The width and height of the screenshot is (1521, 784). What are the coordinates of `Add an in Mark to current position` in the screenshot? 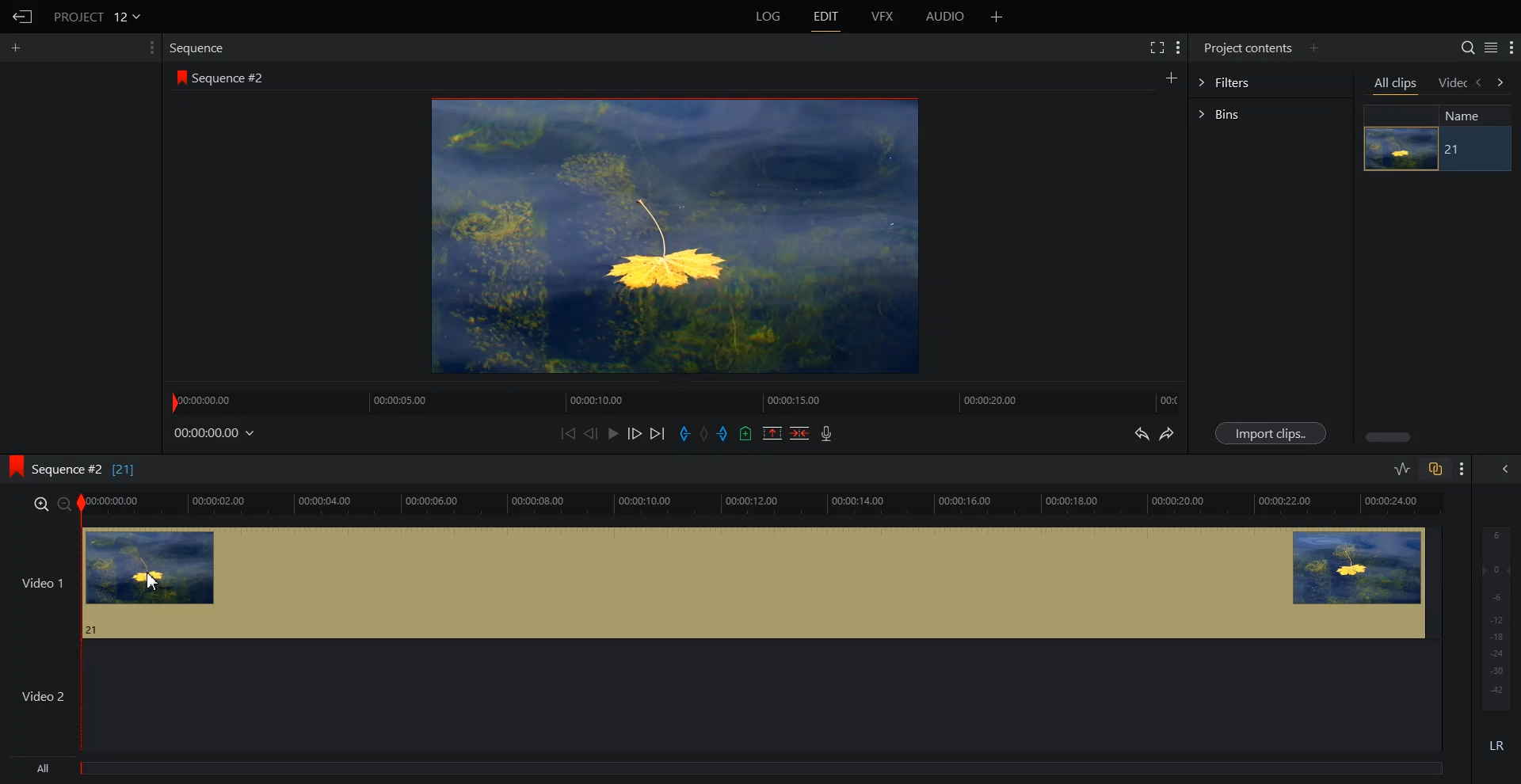 It's located at (684, 433).